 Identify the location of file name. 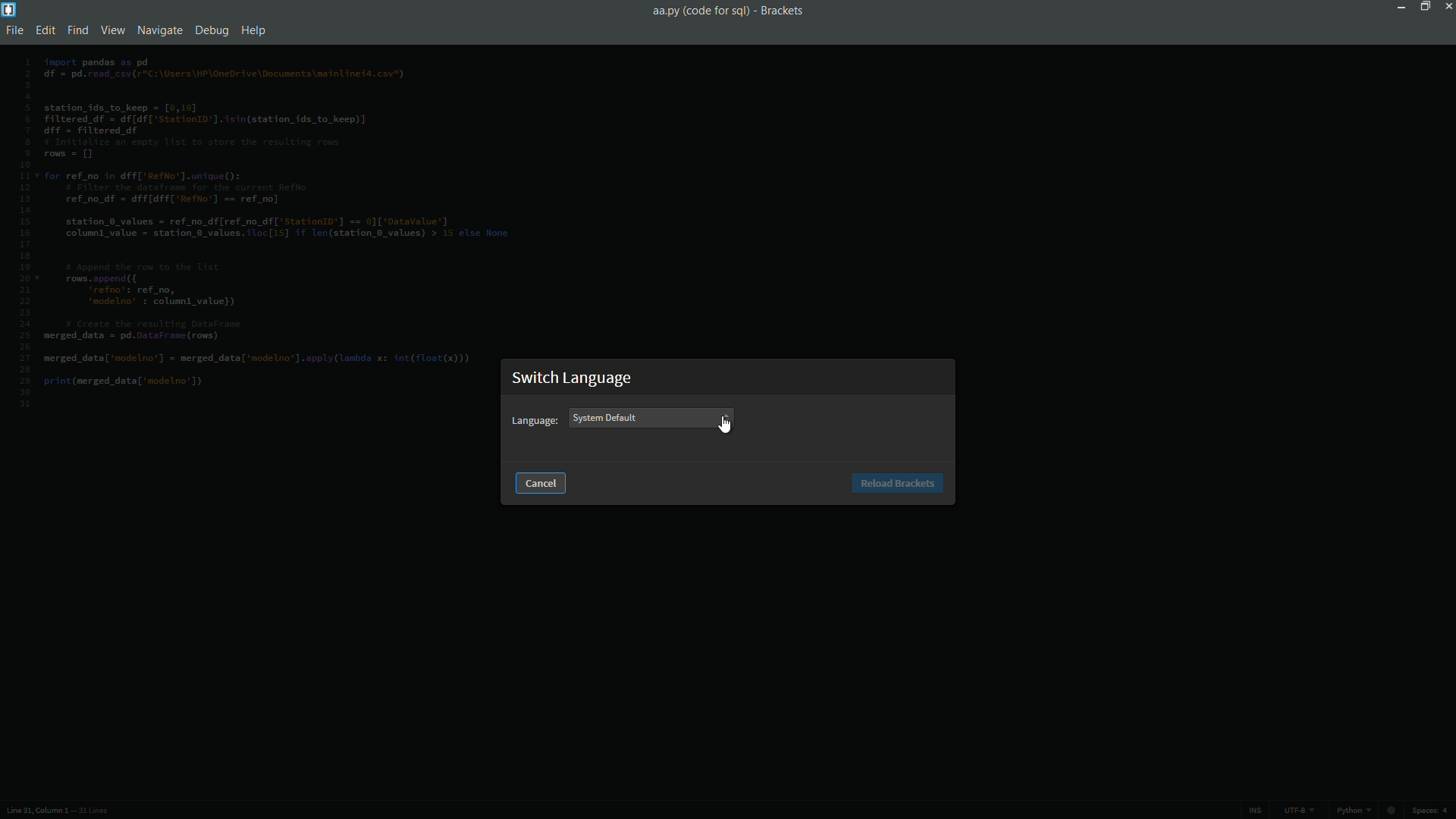
(698, 11).